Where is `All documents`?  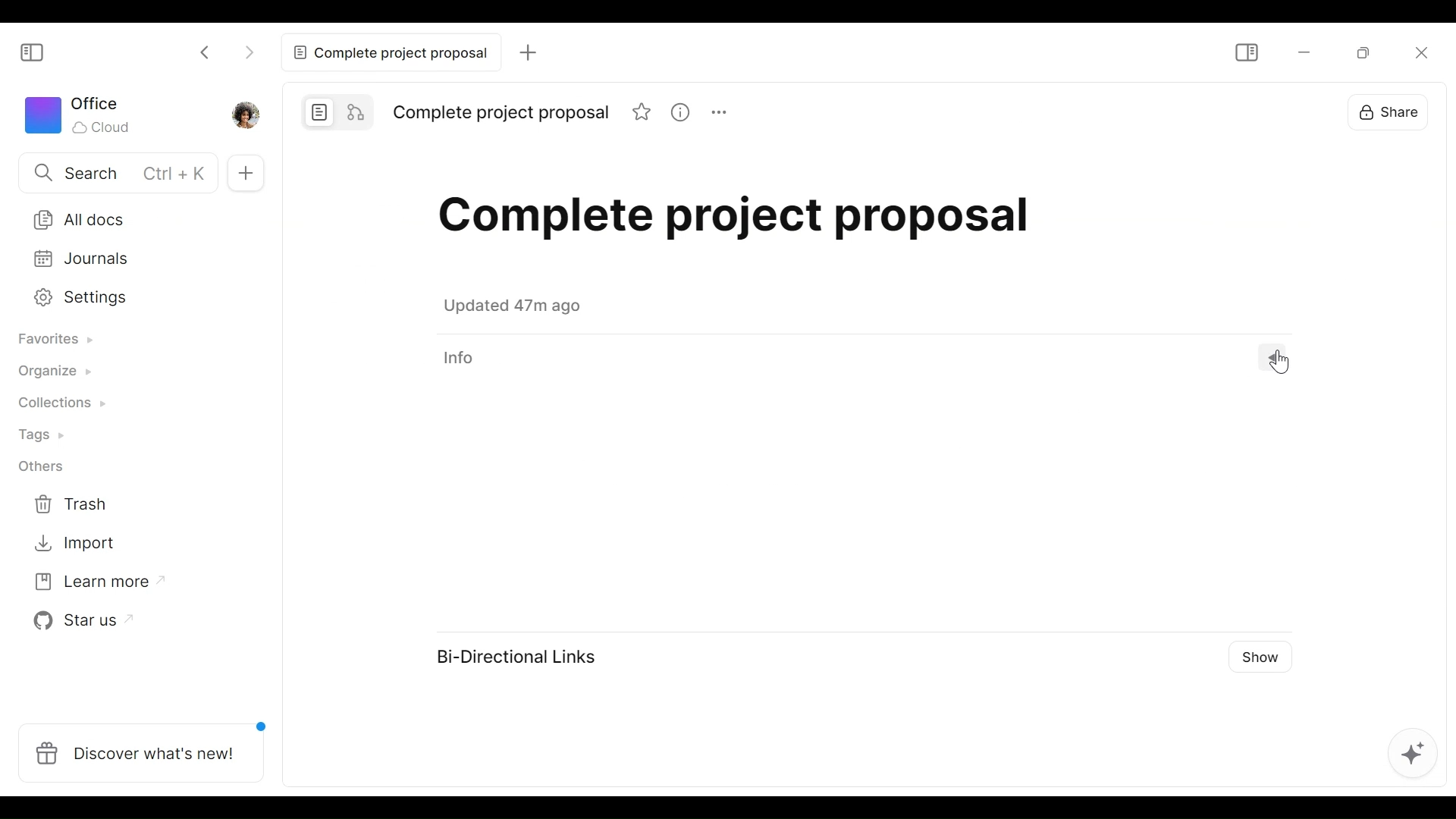 All documents is located at coordinates (130, 217).